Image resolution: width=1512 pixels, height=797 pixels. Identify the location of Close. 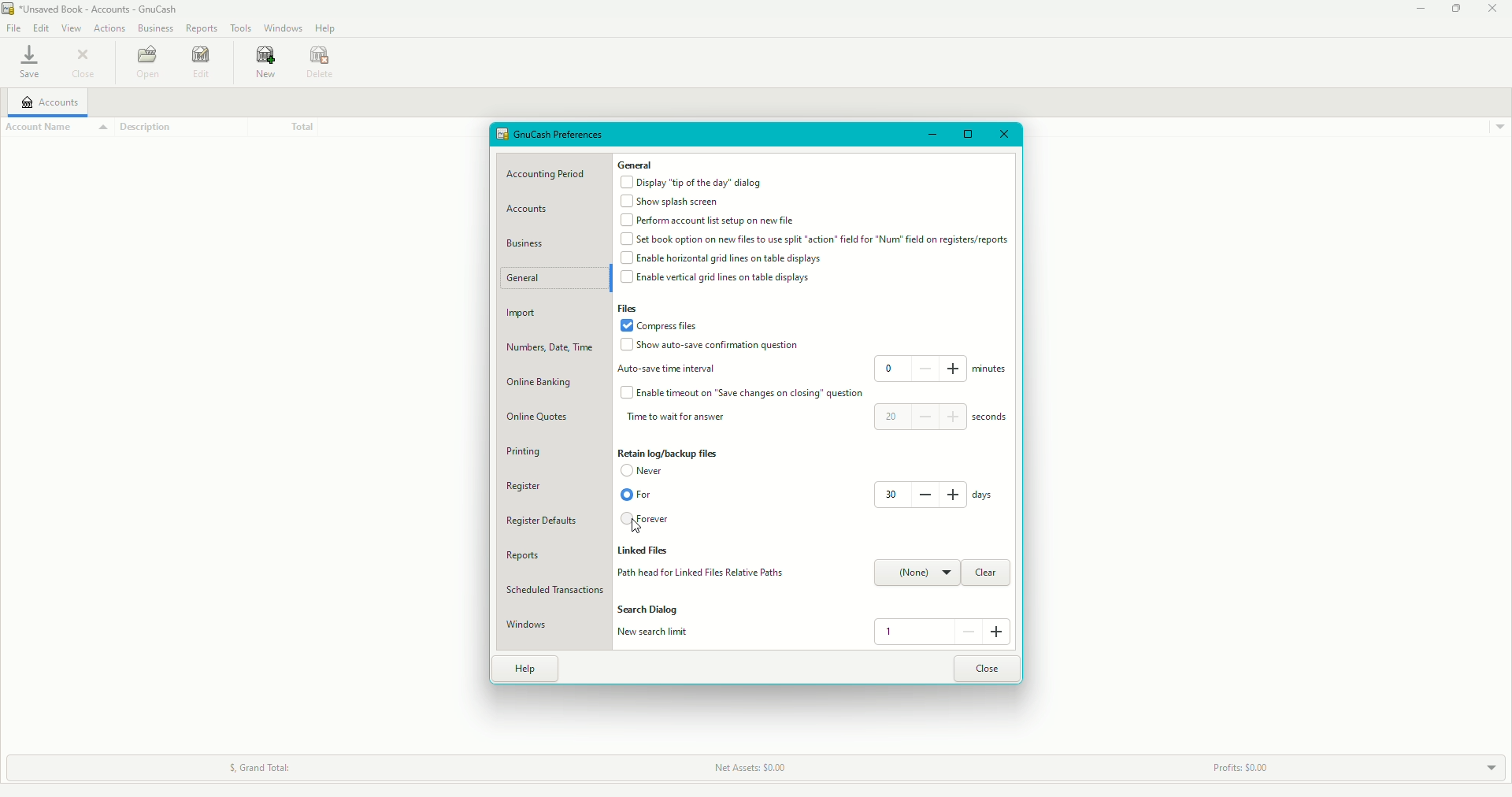
(988, 668).